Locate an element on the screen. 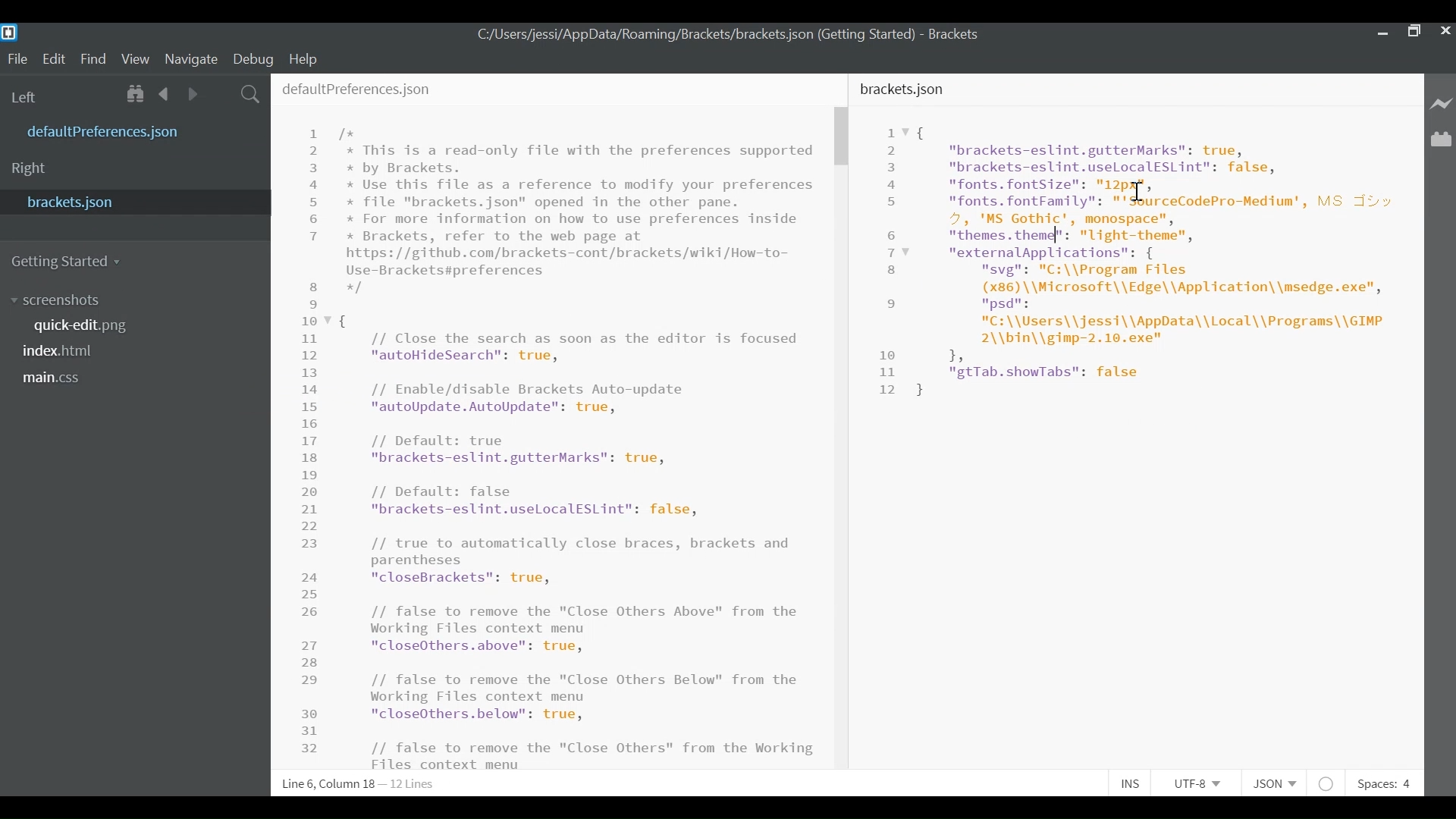 The image size is (1456, 819). Find is located at coordinates (93, 60).